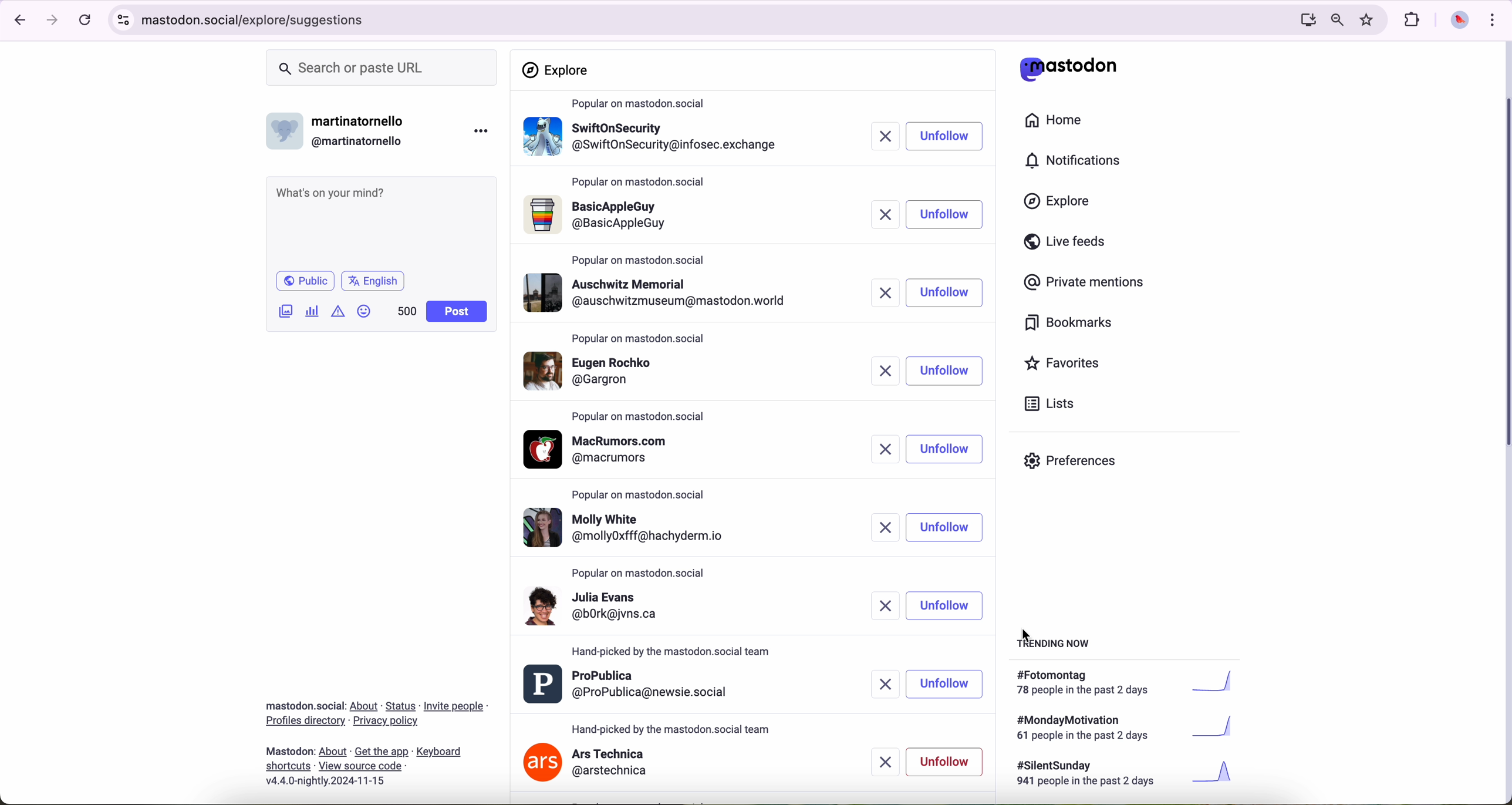 Image resolution: width=1512 pixels, height=805 pixels. What do you see at coordinates (1303, 19) in the screenshot?
I see `computer` at bounding box center [1303, 19].